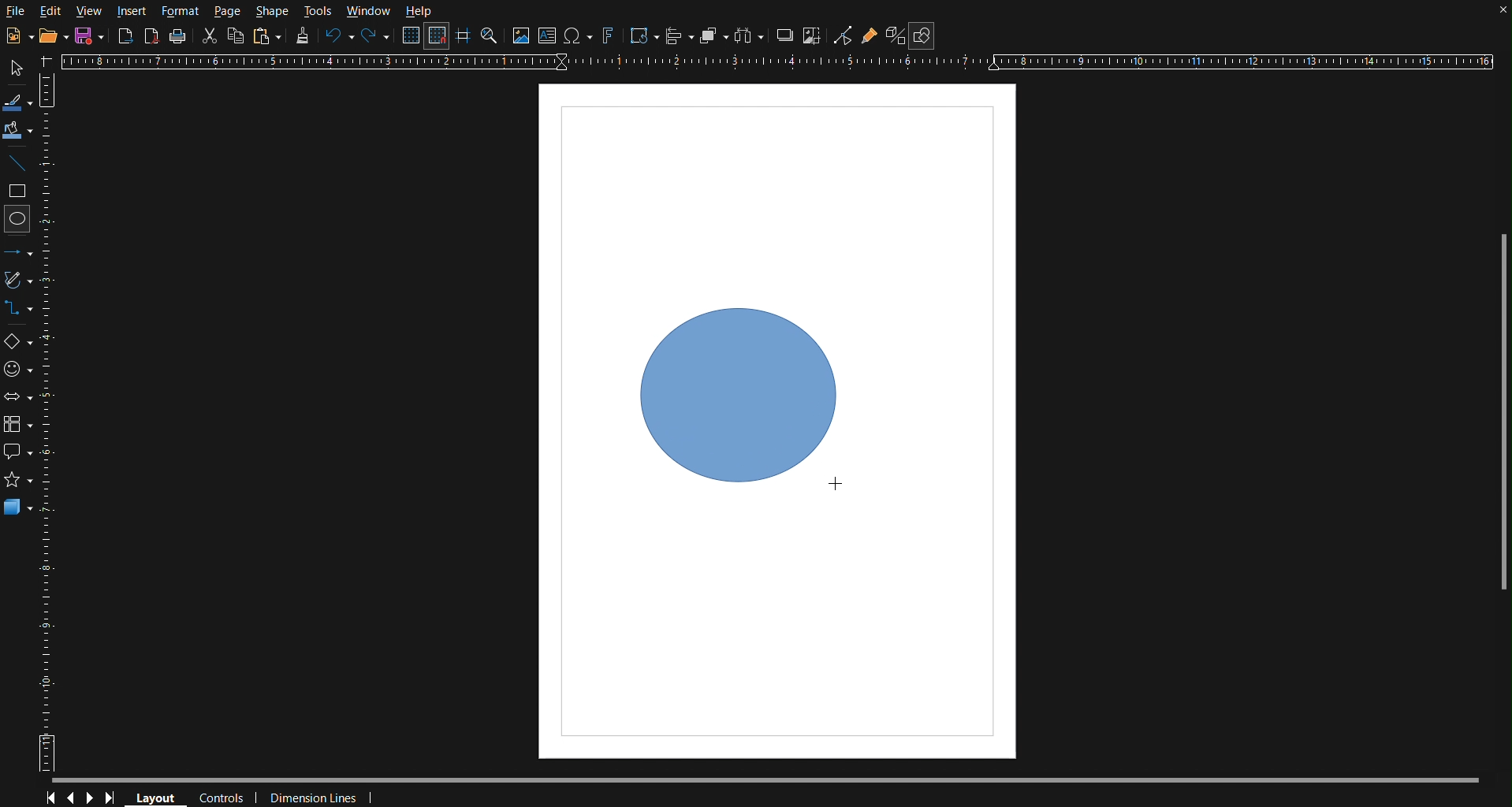  Describe the element at coordinates (303, 38) in the screenshot. I see `Formatting` at that location.